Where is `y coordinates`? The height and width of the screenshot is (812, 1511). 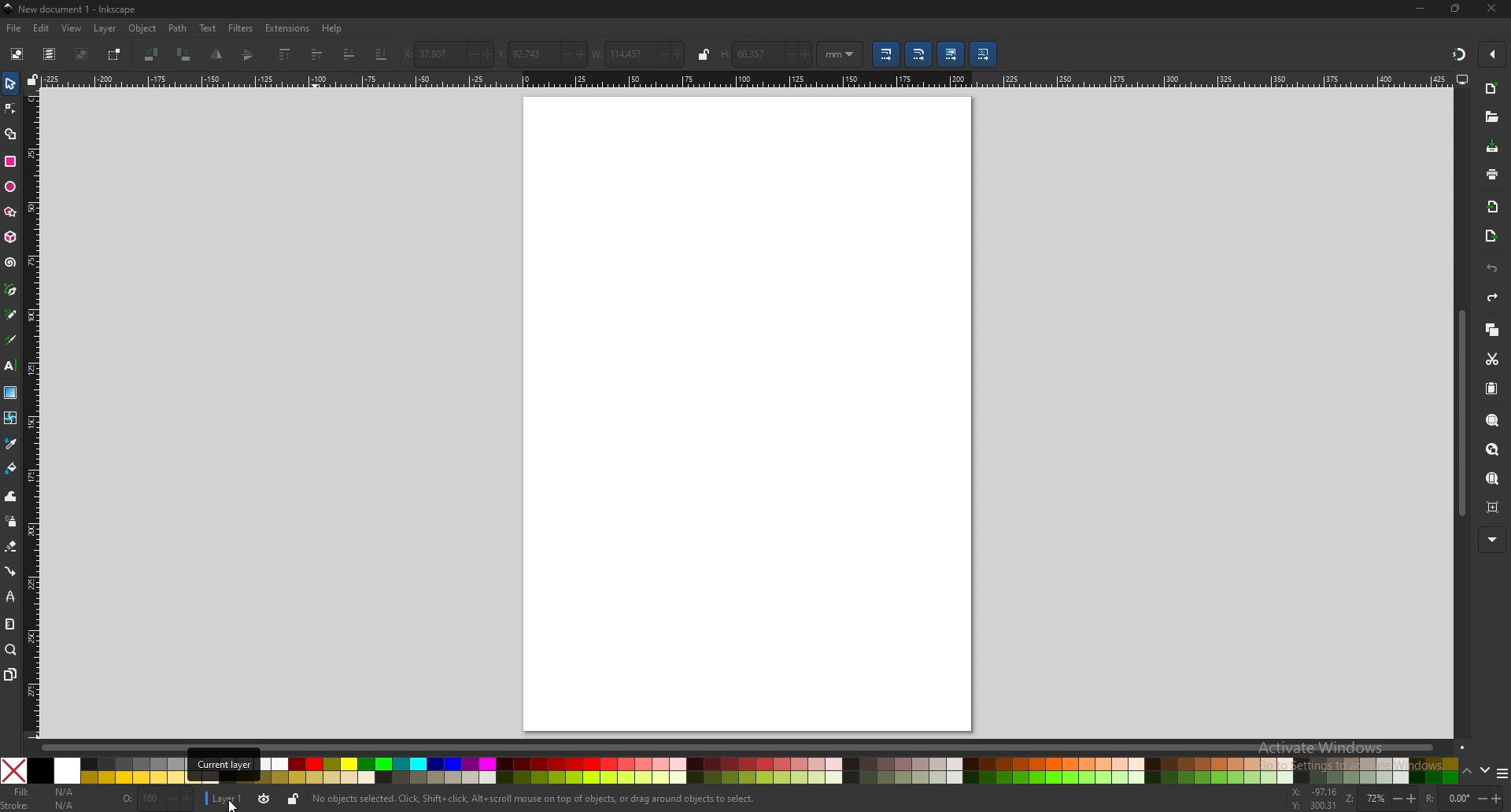
y coordinates is located at coordinates (524, 54).